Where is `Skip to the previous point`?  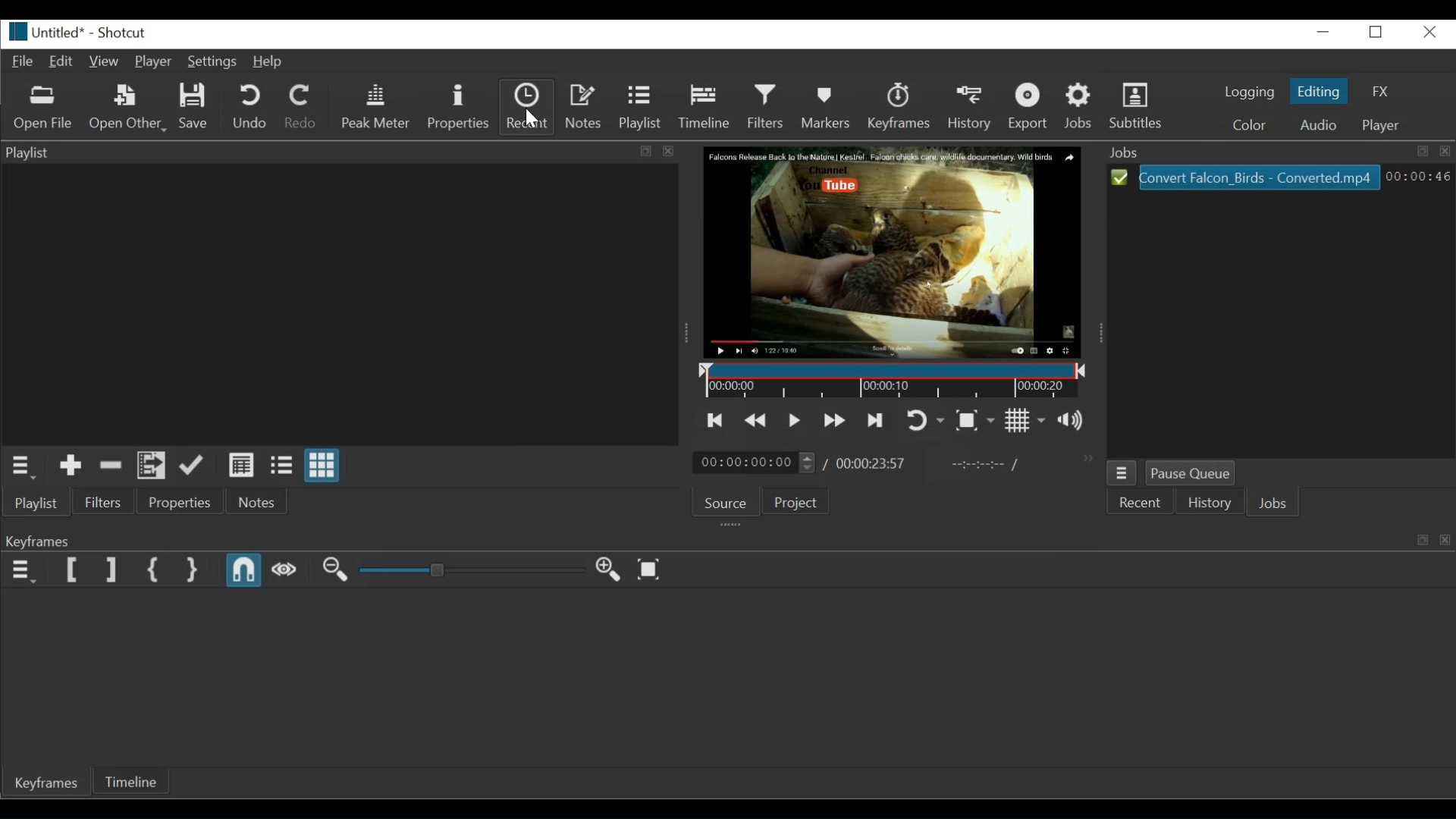 Skip to the previous point is located at coordinates (714, 419).